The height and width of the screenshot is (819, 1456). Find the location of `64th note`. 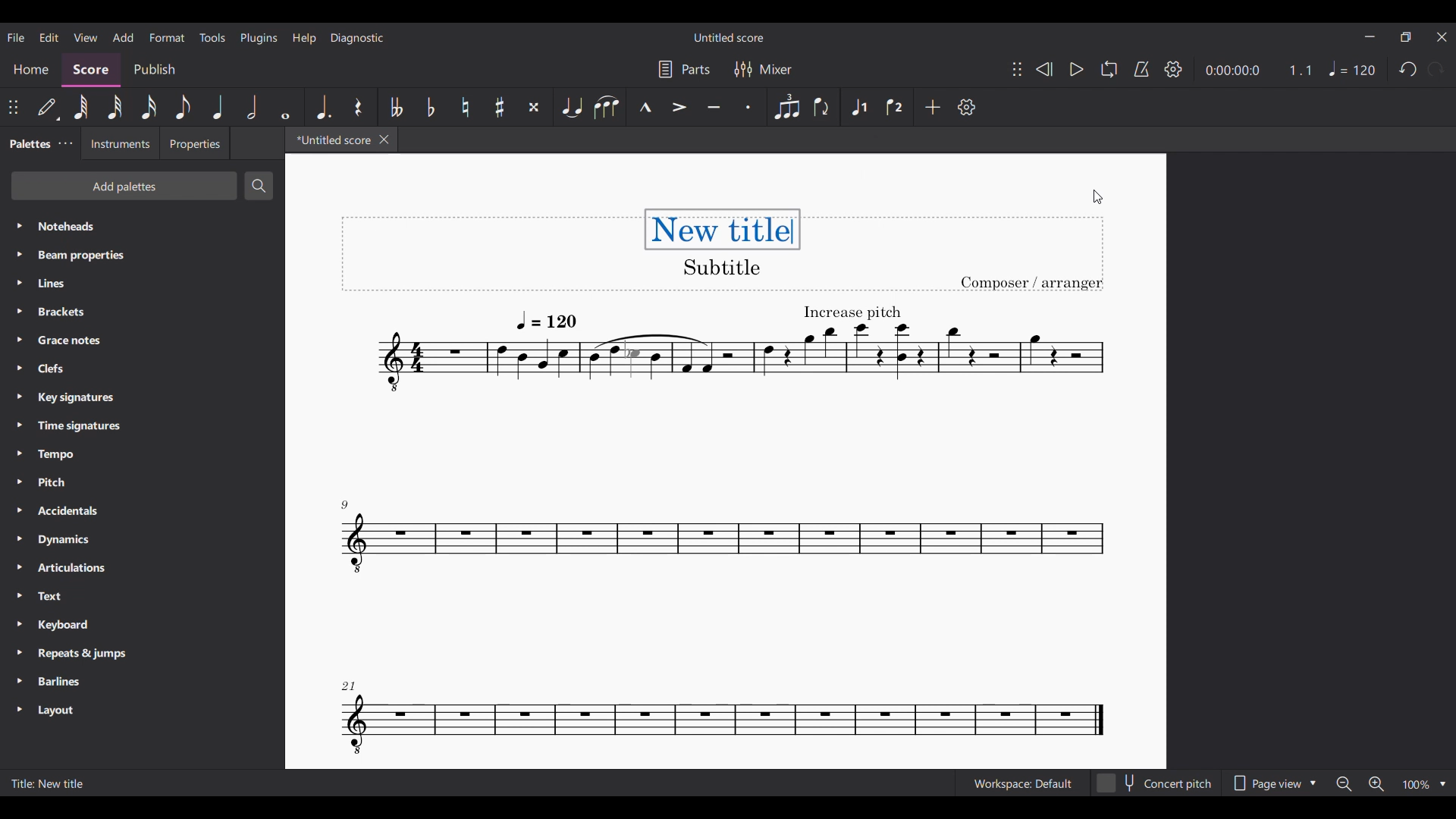

64th note is located at coordinates (81, 107).